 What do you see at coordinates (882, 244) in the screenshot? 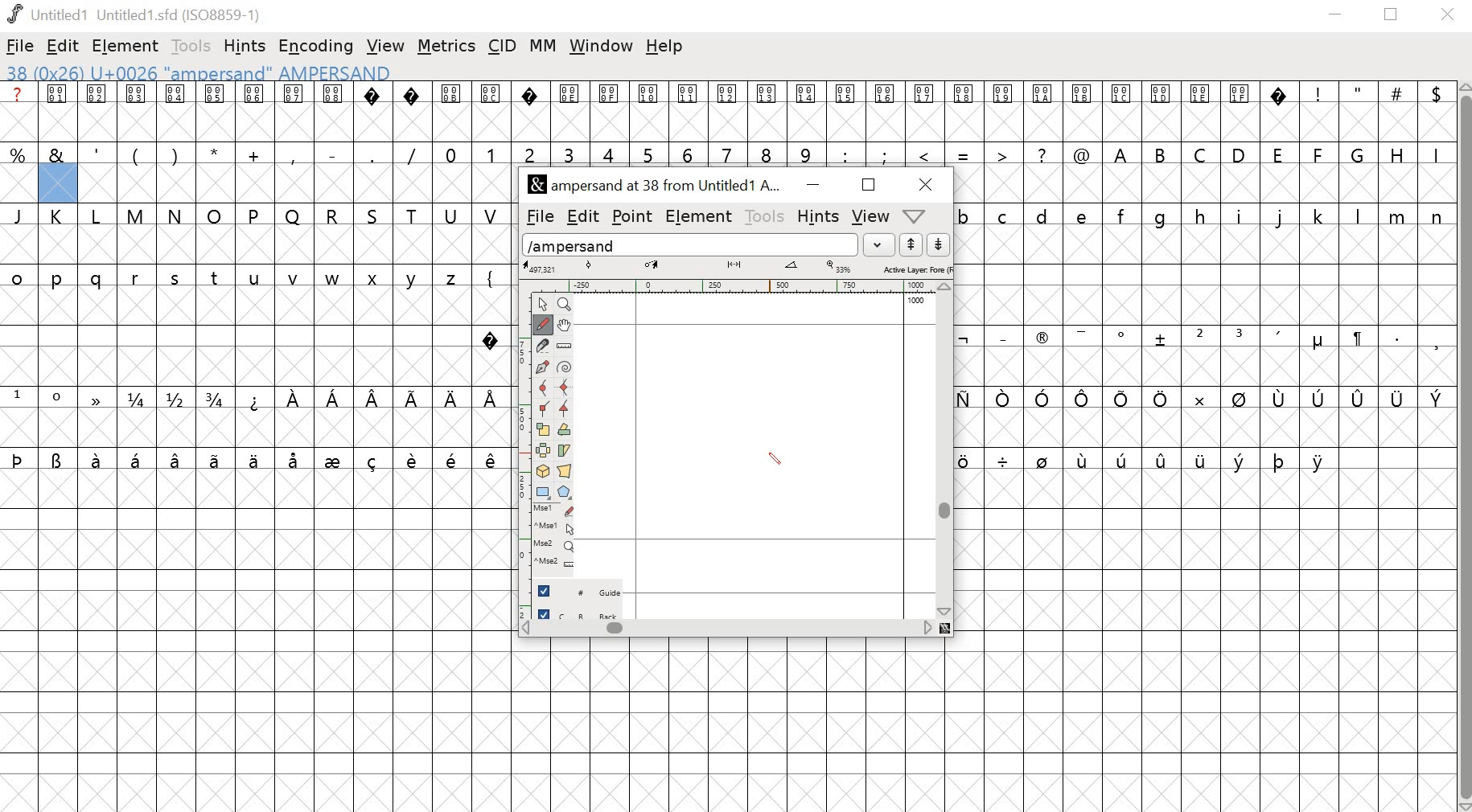
I see `drop down` at bounding box center [882, 244].